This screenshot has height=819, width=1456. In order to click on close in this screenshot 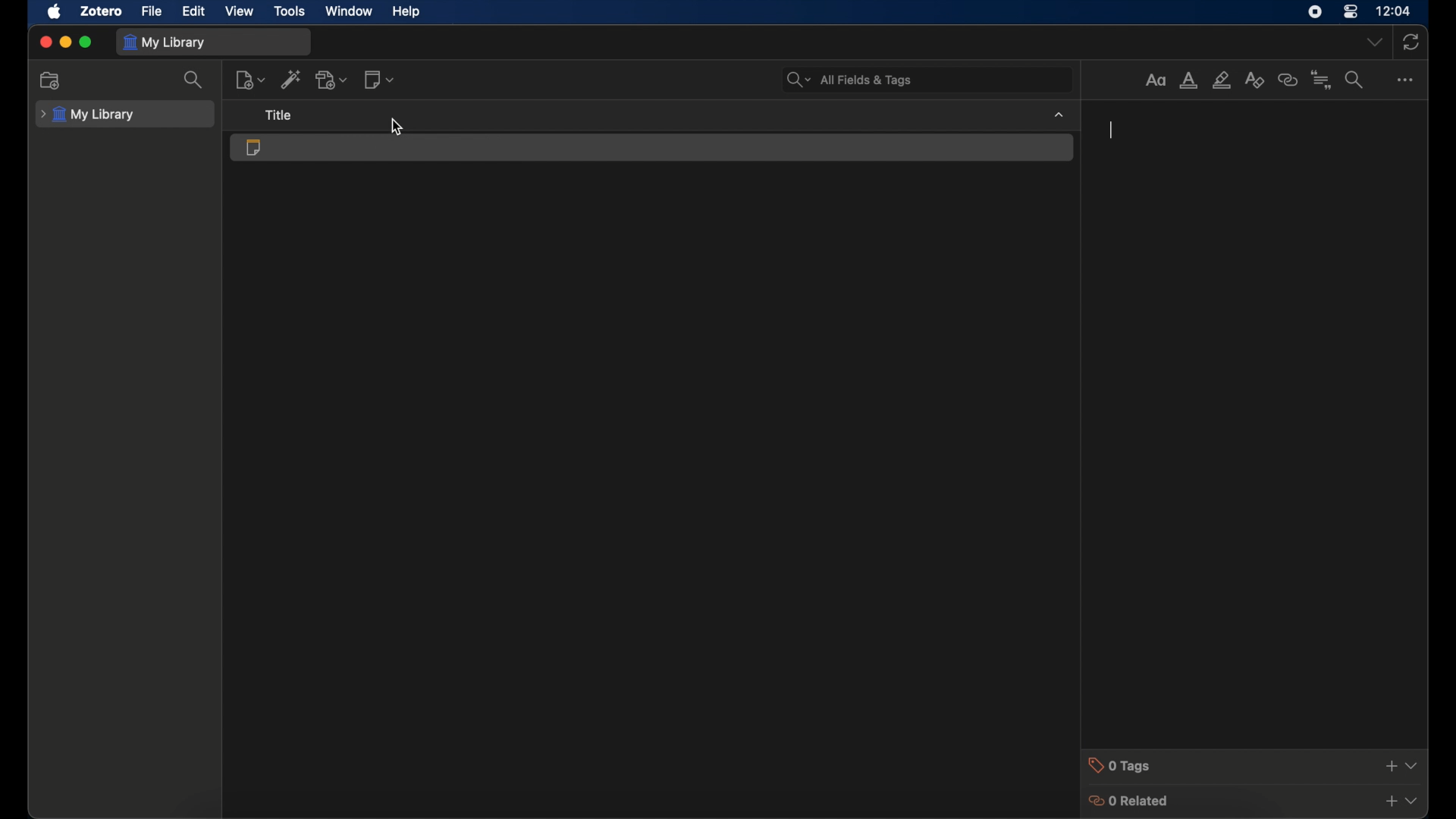, I will do `click(45, 42)`.